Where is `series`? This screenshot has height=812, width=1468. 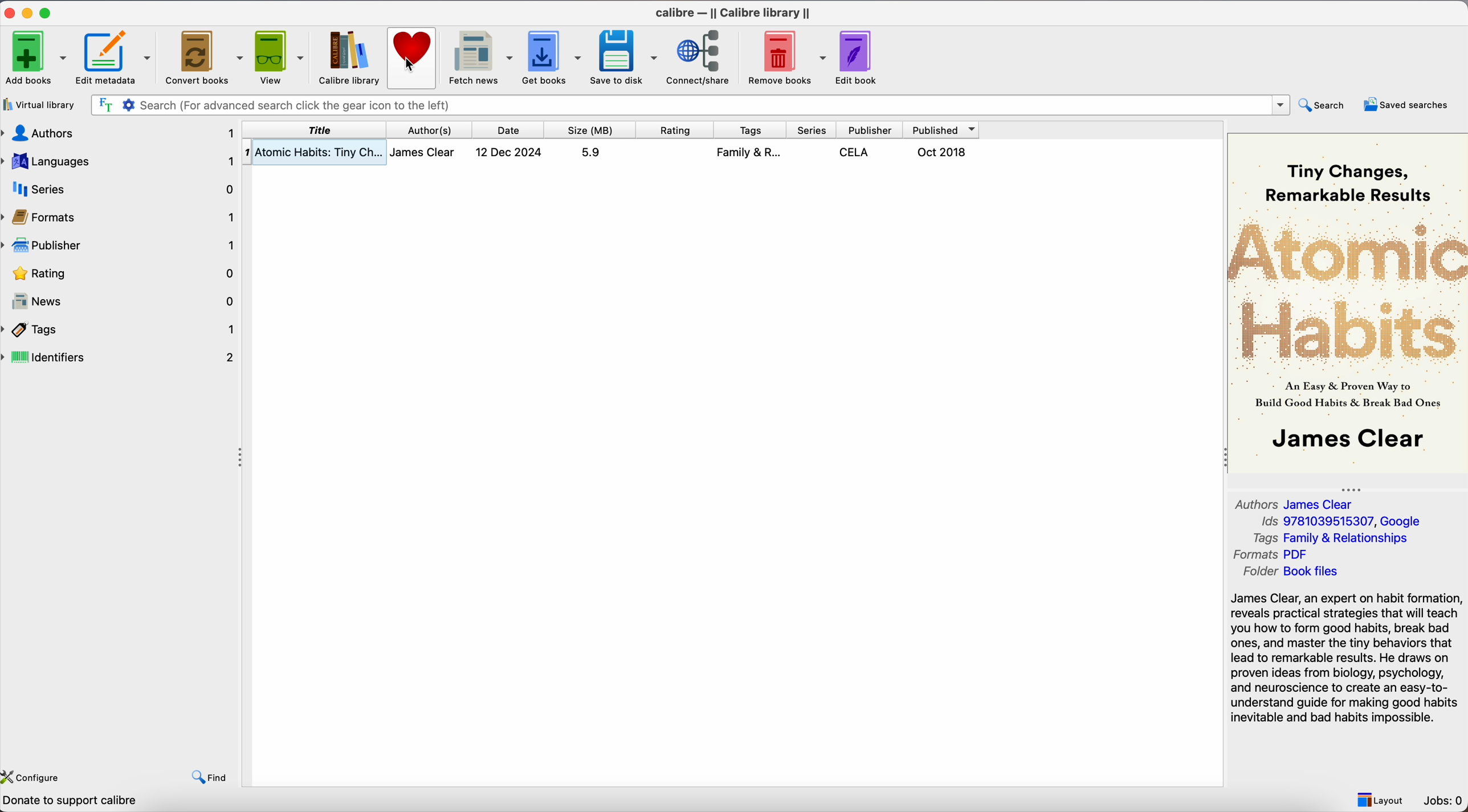 series is located at coordinates (119, 188).